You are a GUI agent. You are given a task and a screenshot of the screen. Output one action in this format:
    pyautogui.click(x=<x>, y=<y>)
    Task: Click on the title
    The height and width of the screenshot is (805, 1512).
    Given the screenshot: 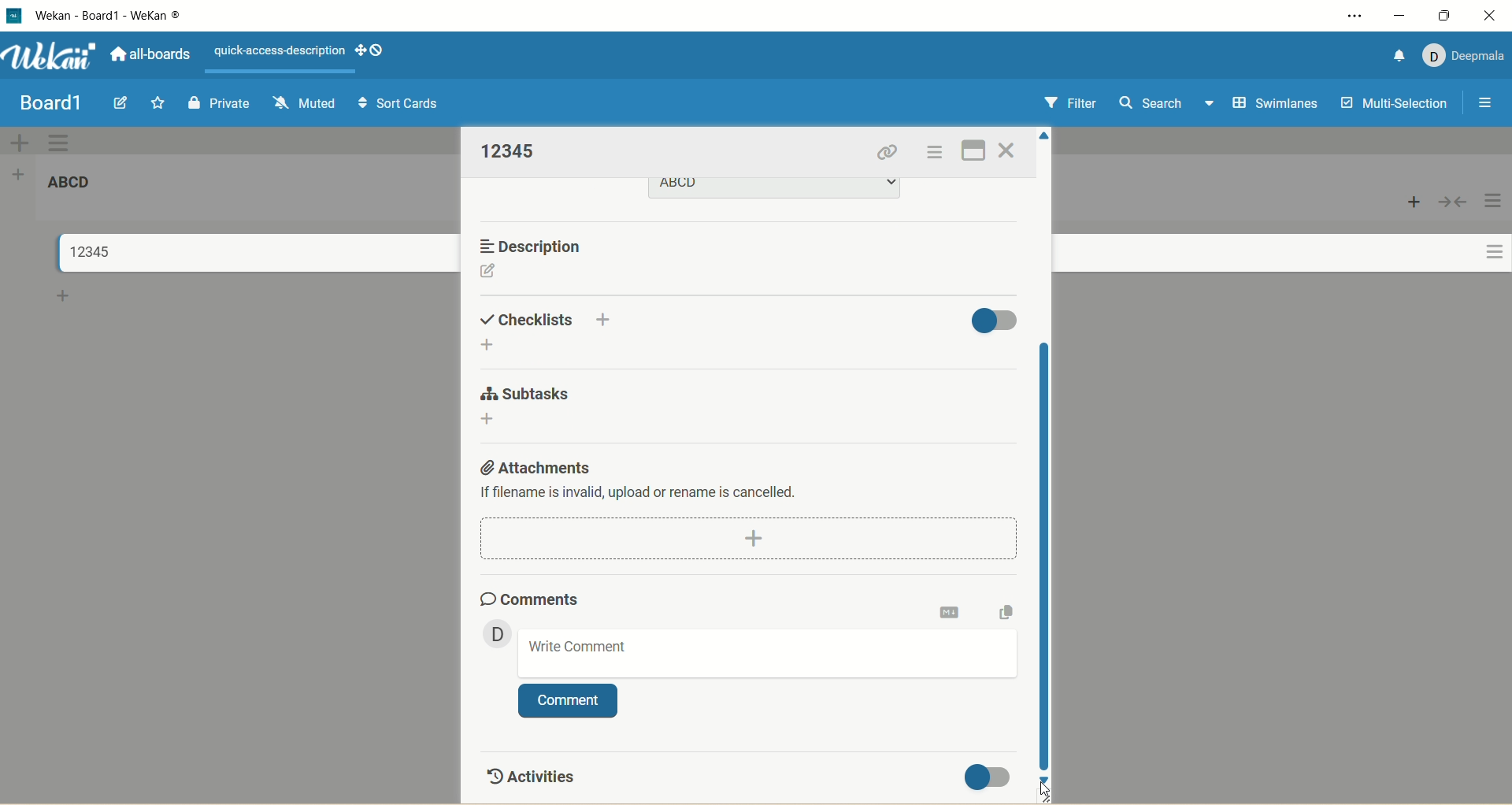 What is the action you would take?
    pyautogui.click(x=511, y=150)
    